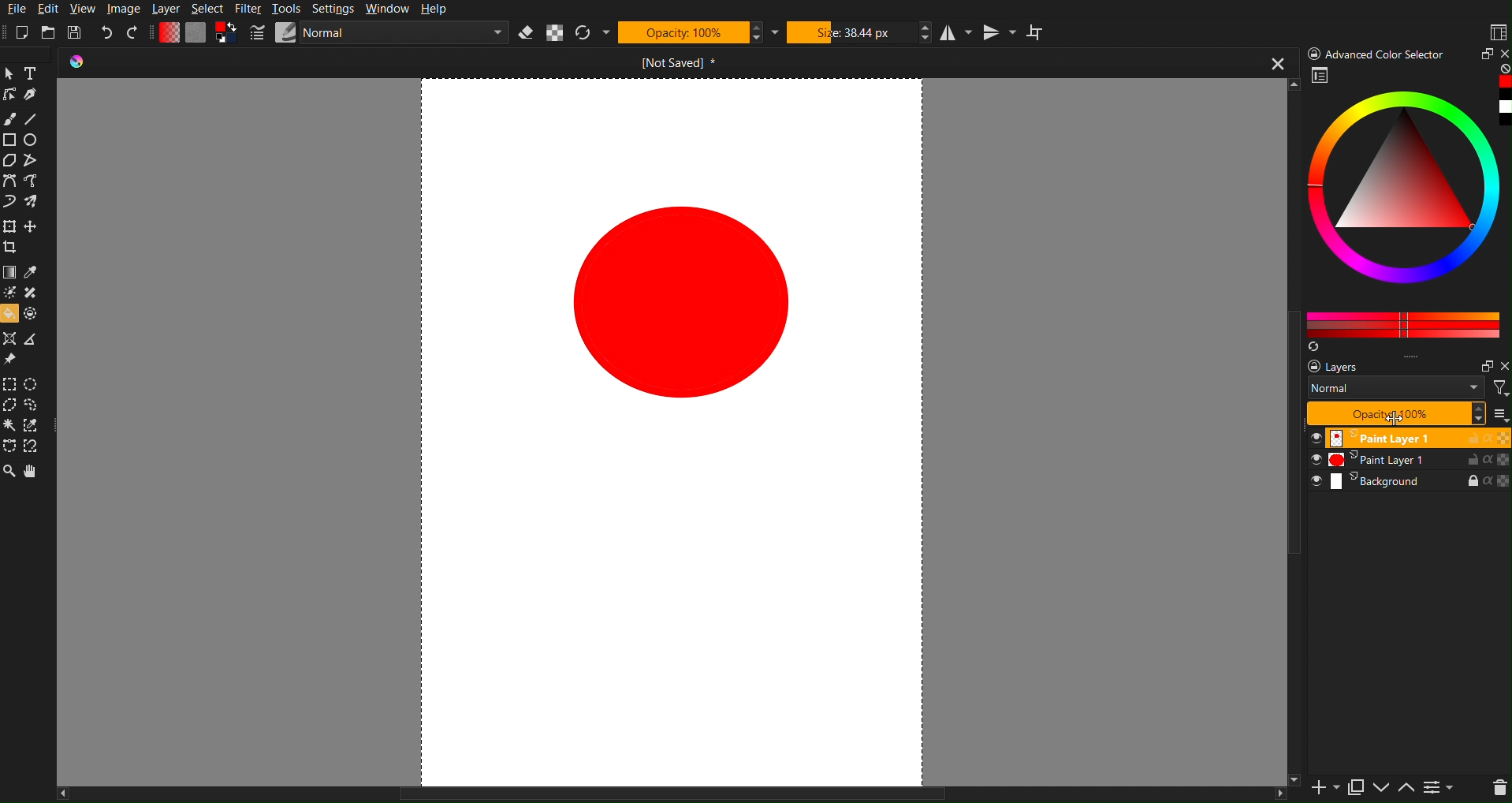 The image size is (1512, 803). Describe the element at coordinates (1402, 460) in the screenshot. I see `Paint Layer 1` at that location.